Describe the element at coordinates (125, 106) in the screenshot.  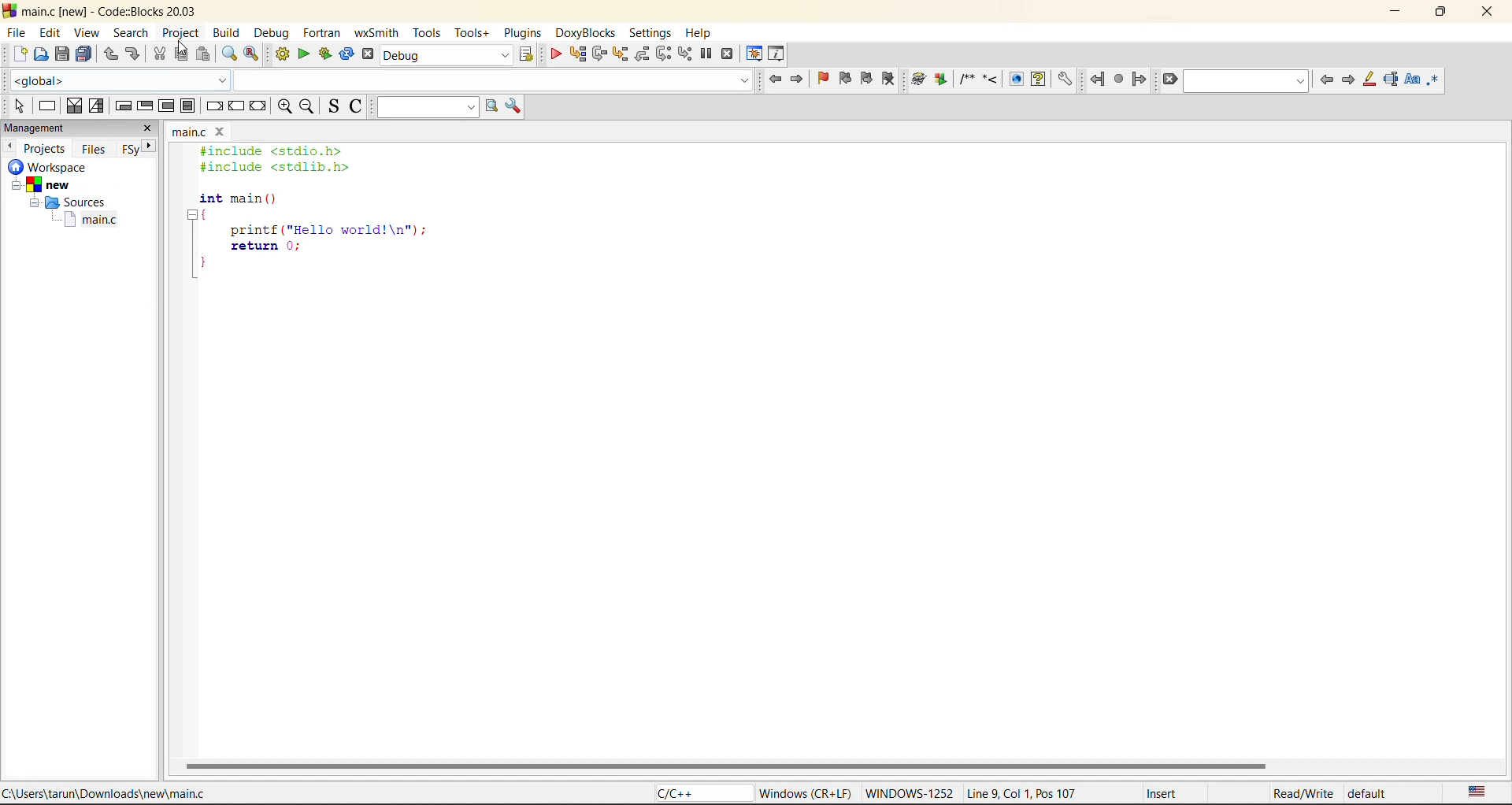
I see `entry condition loop` at that location.